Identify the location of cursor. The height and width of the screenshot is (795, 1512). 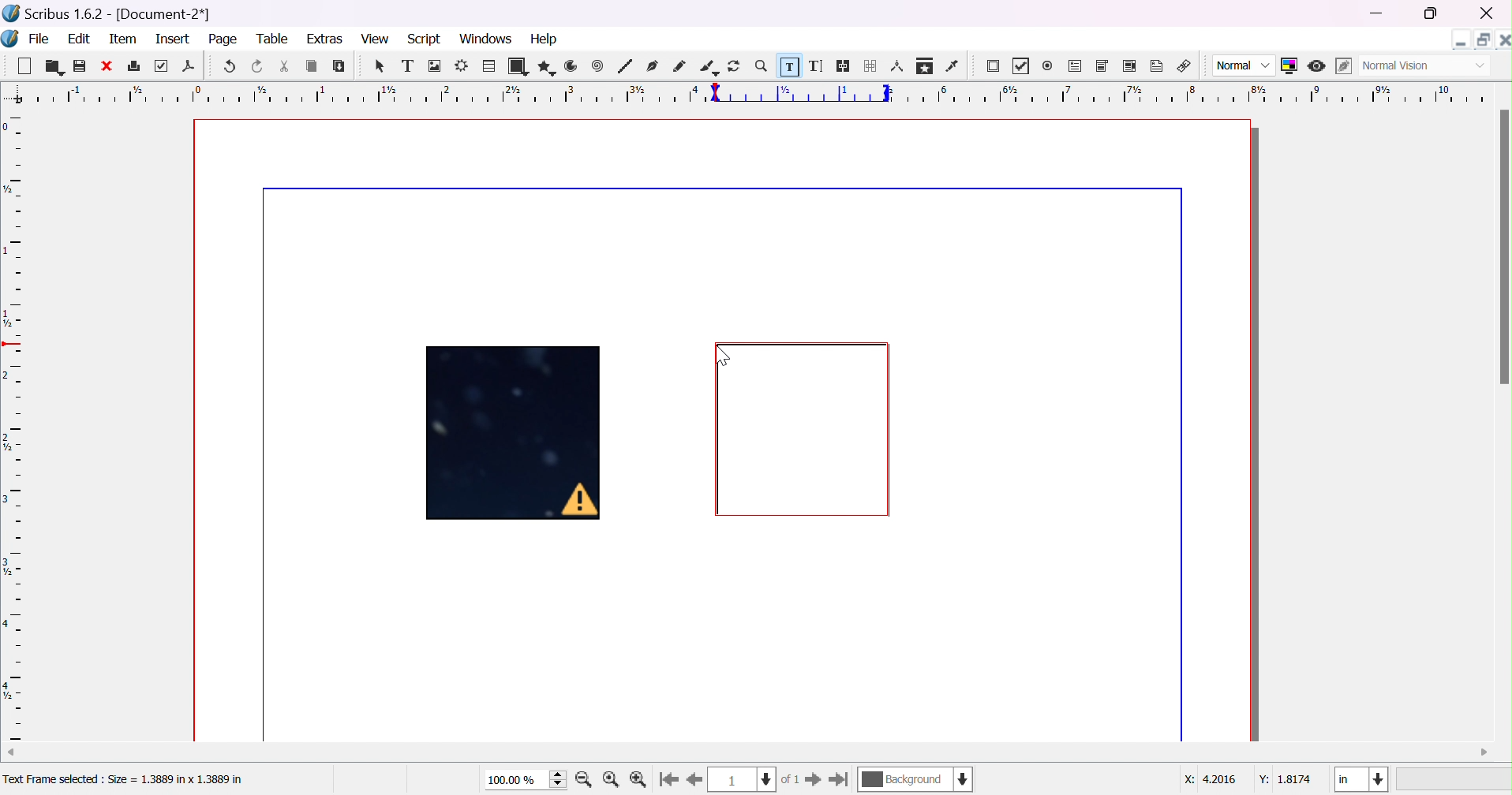
(724, 352).